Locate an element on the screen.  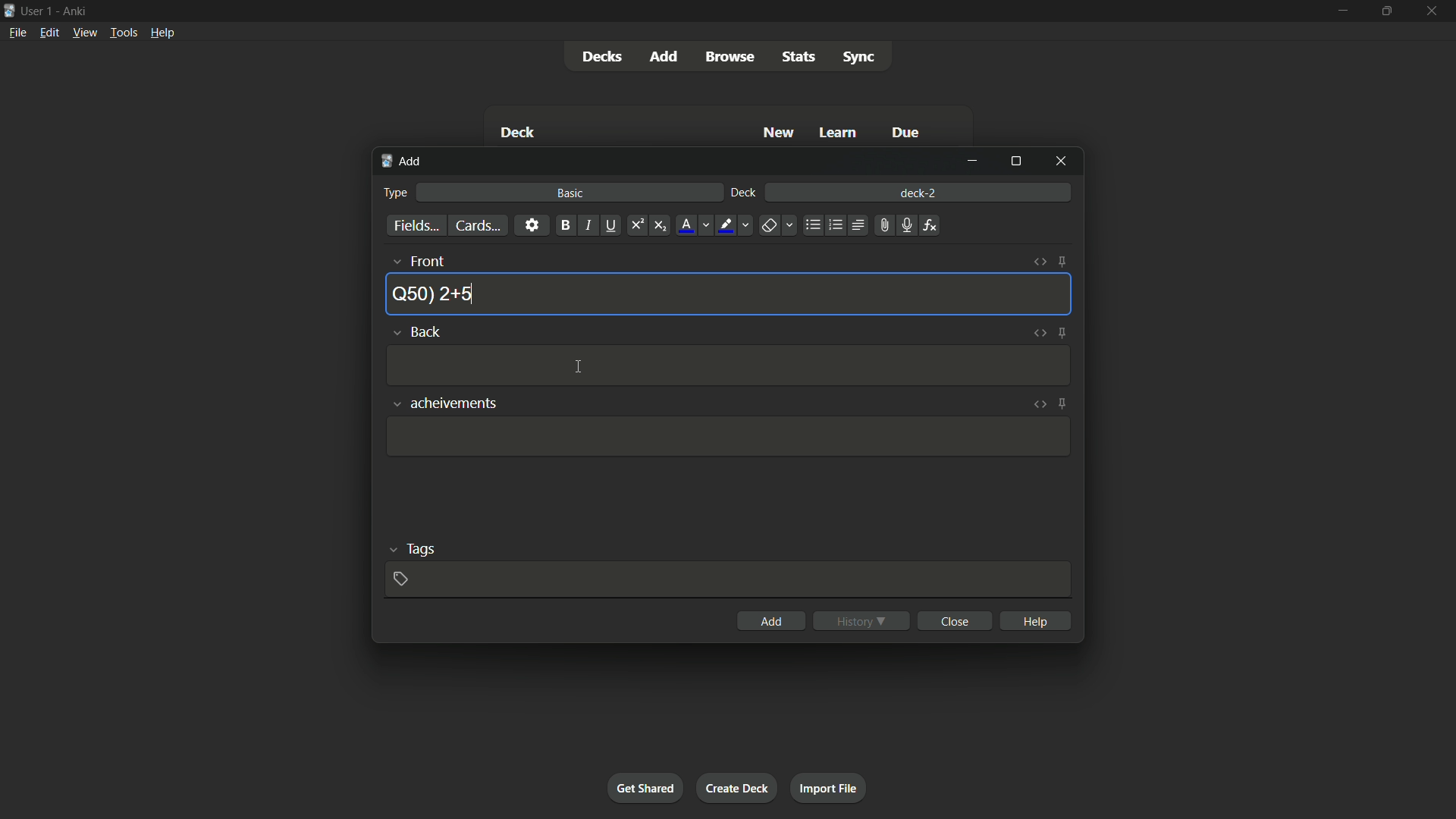
close app is located at coordinates (1434, 11).